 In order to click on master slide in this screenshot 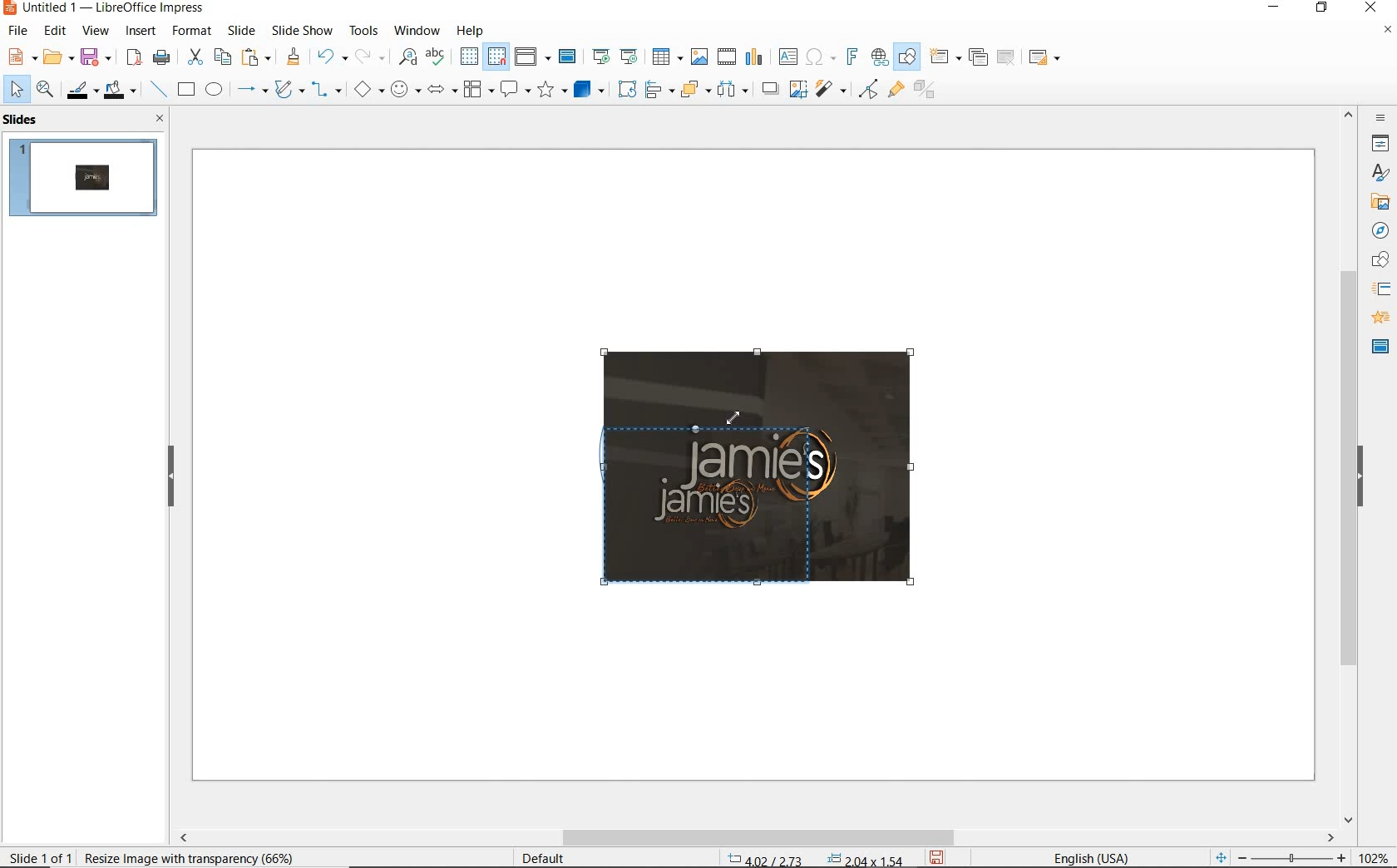, I will do `click(1380, 345)`.